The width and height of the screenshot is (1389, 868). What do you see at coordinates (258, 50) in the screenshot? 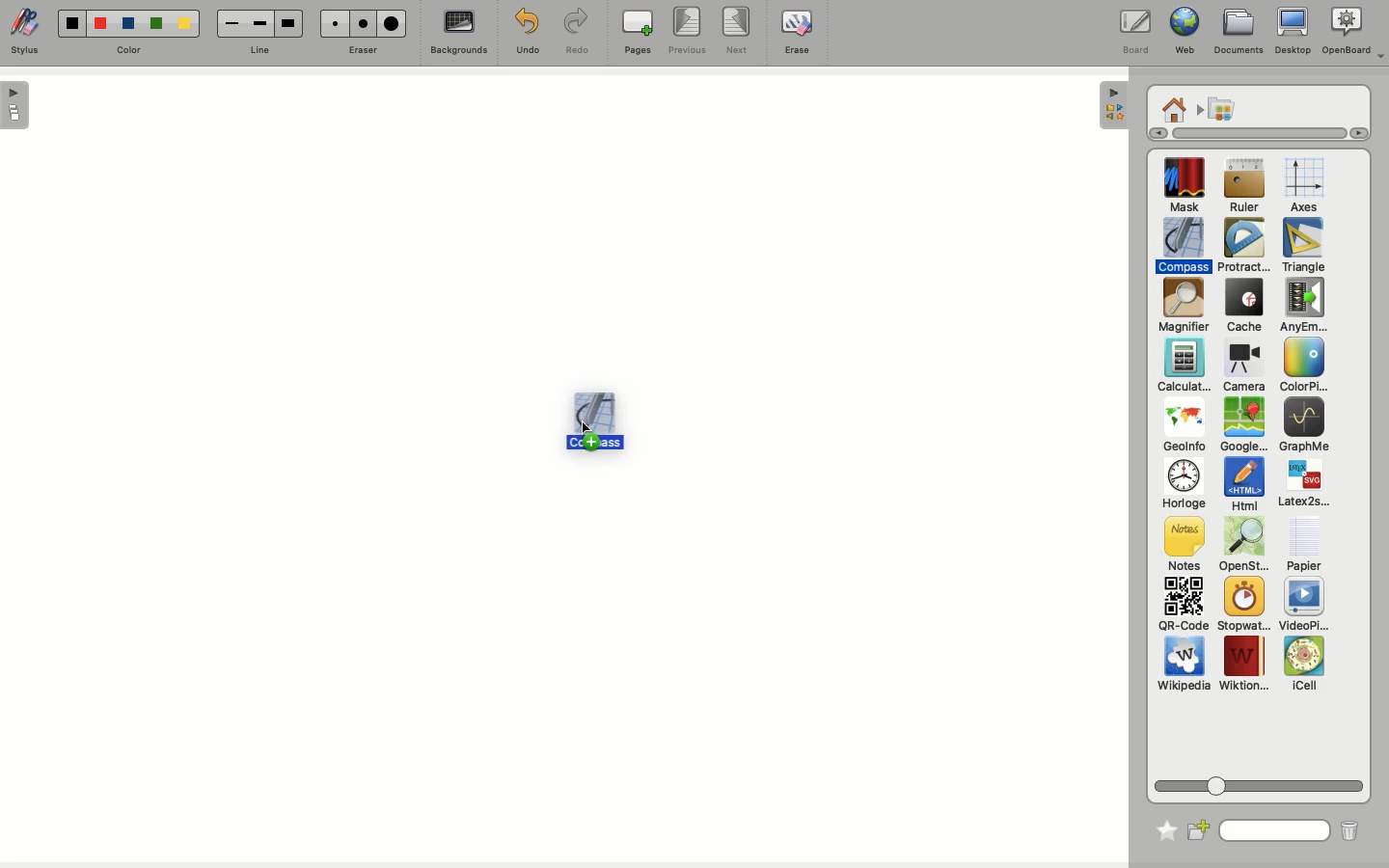
I see `line` at bounding box center [258, 50].